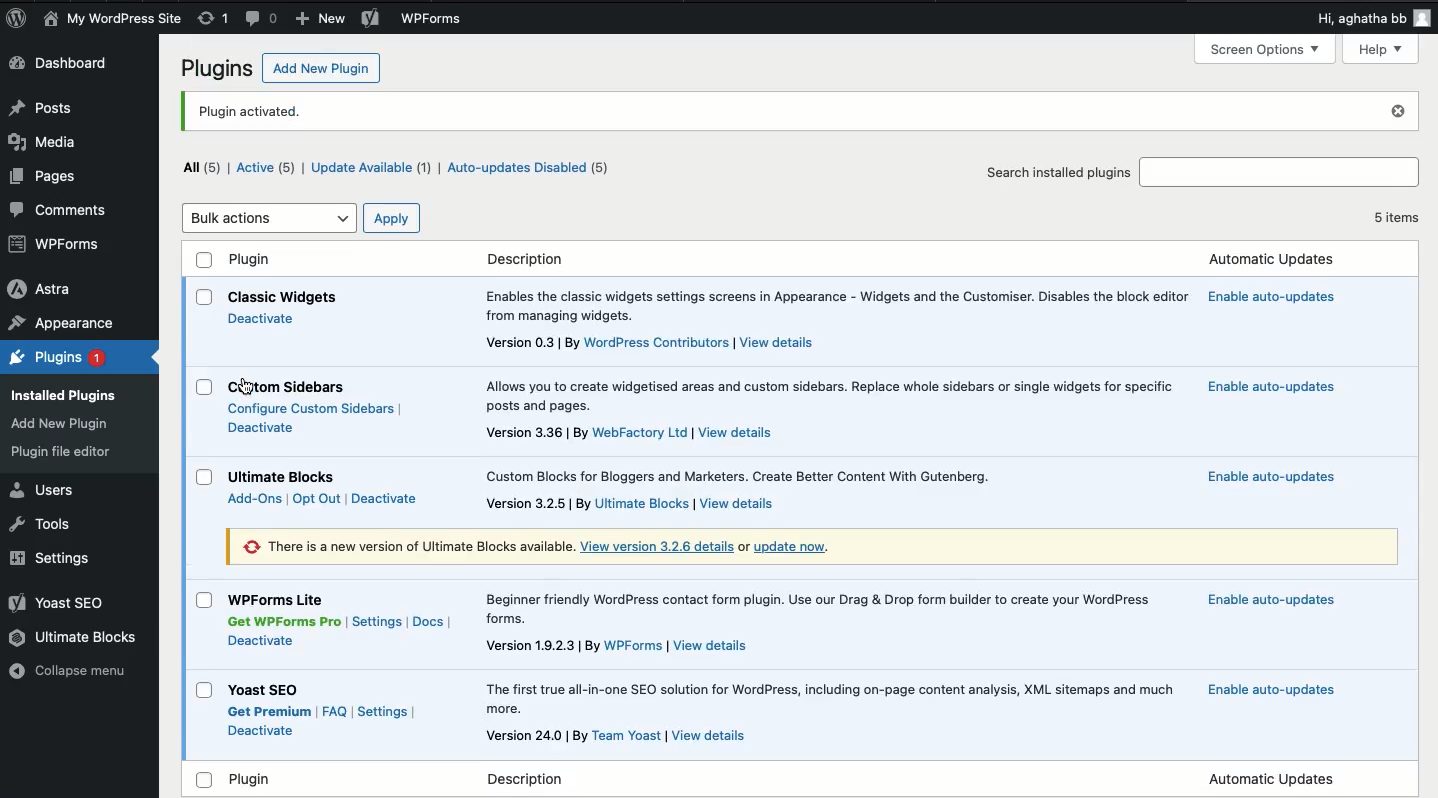 The width and height of the screenshot is (1438, 798). Describe the element at coordinates (633, 647) in the screenshot. I see `wpforms` at that location.